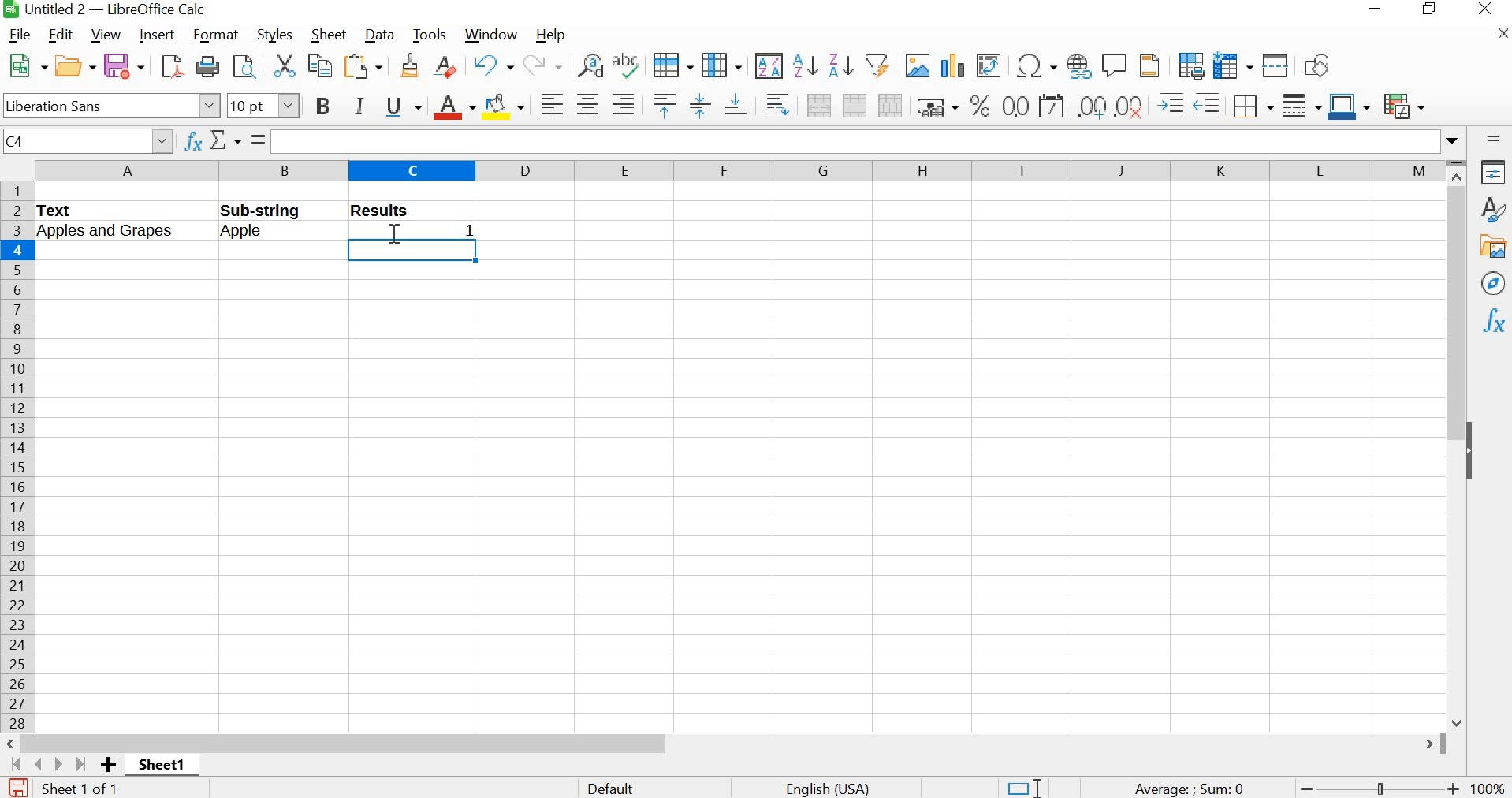  I want to click on Apples and grapes, so click(120, 233).